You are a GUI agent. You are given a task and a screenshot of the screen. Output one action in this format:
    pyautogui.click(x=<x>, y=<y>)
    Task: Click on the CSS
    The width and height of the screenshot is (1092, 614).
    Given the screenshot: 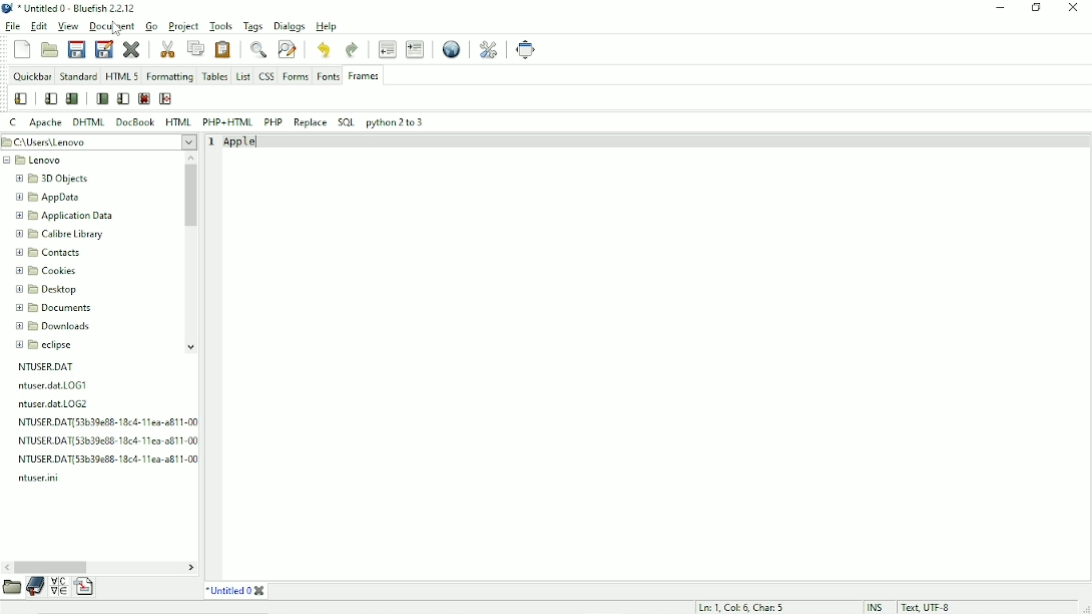 What is the action you would take?
    pyautogui.click(x=266, y=76)
    